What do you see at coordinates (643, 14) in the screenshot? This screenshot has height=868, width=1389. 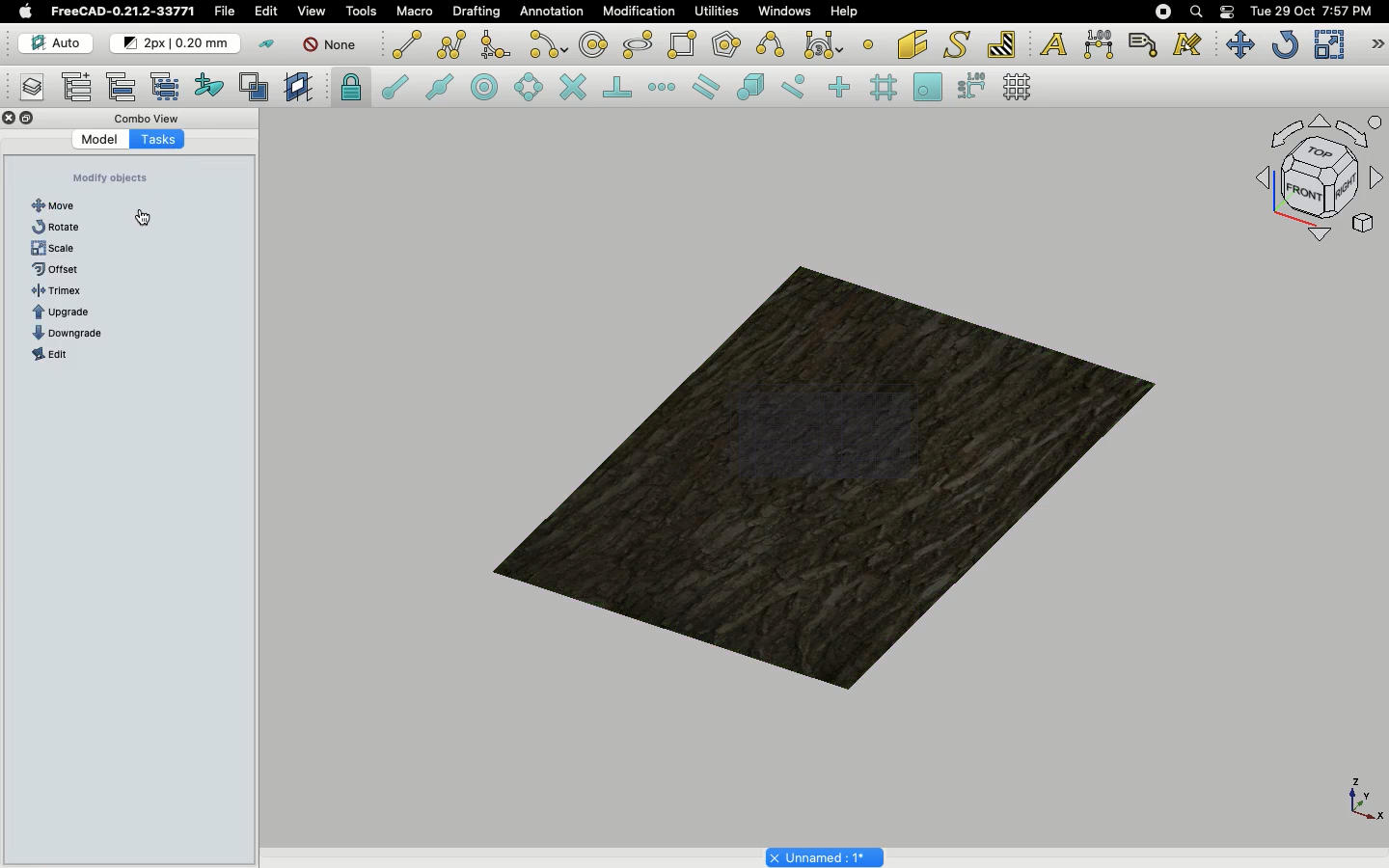 I see `Modification` at bounding box center [643, 14].